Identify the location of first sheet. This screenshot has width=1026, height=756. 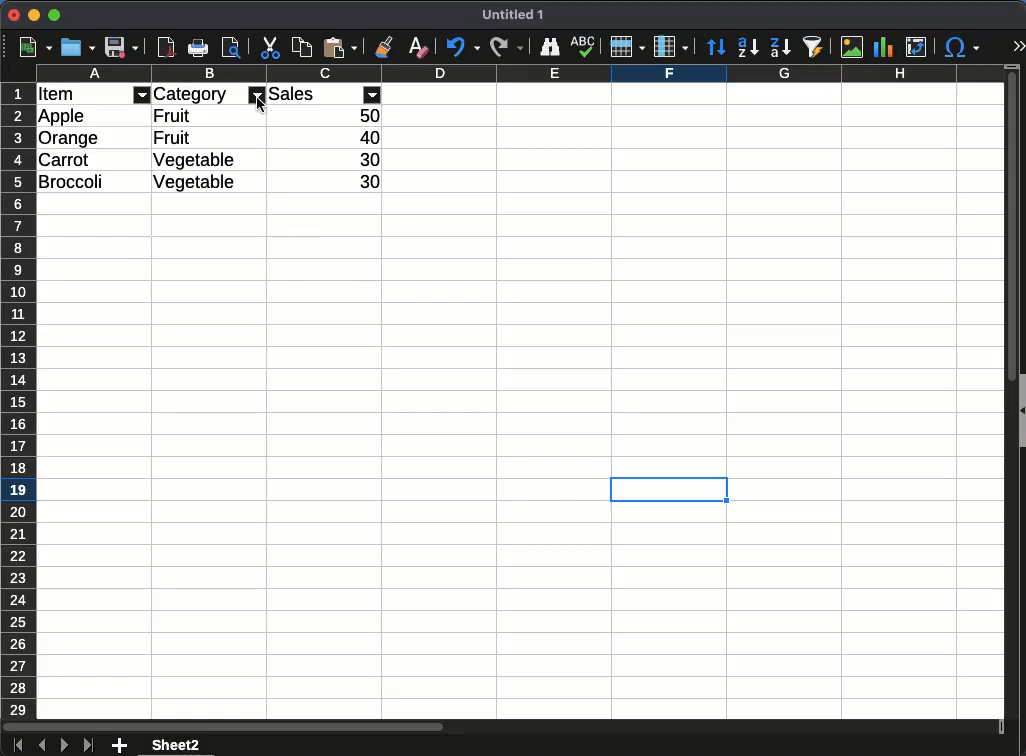
(17, 746).